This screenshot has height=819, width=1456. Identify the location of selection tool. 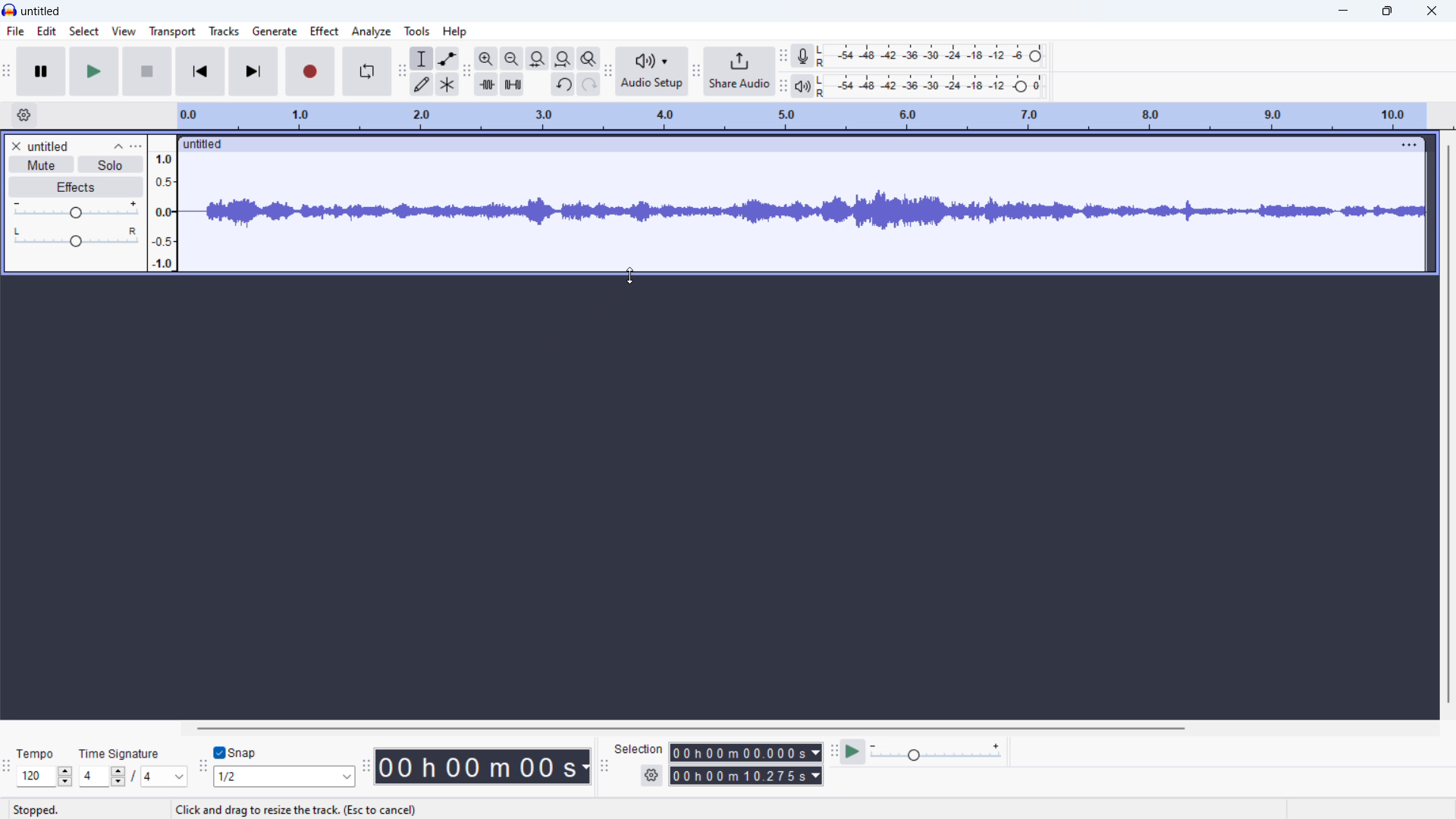
(422, 58).